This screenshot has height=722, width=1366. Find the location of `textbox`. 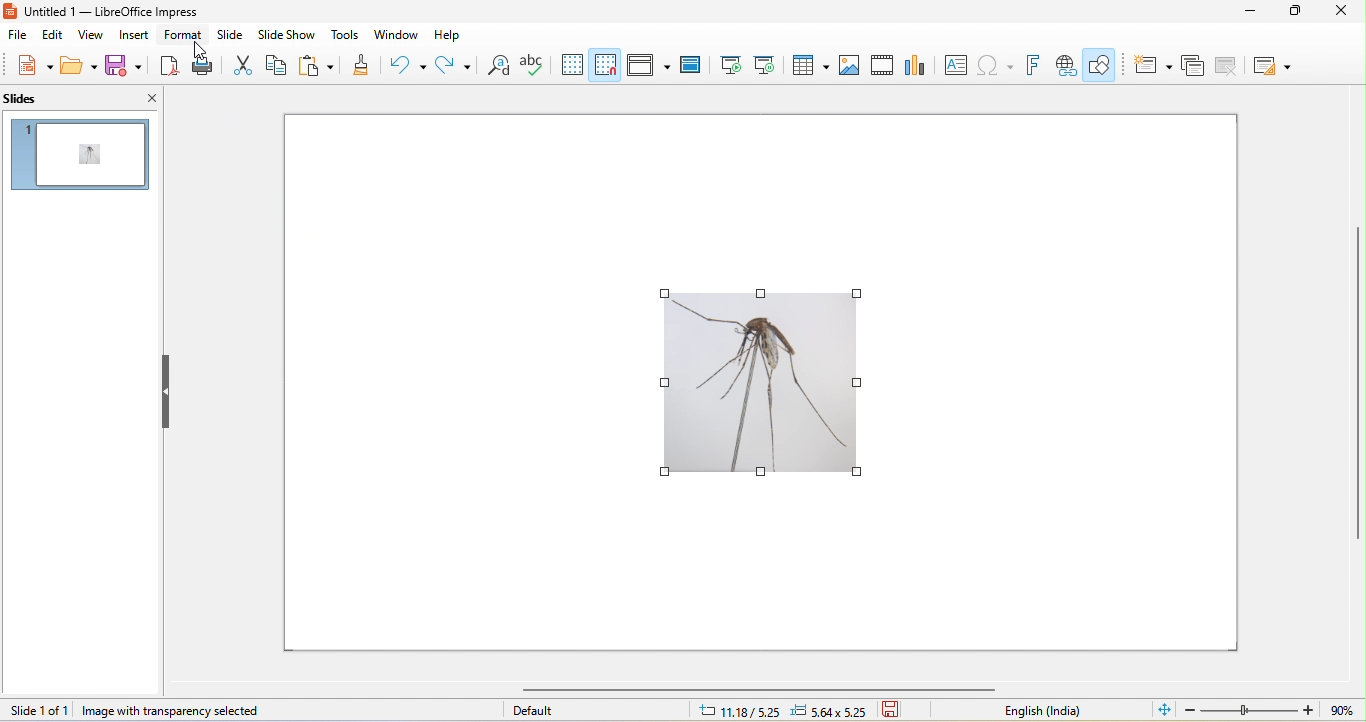

textbox is located at coordinates (954, 64).